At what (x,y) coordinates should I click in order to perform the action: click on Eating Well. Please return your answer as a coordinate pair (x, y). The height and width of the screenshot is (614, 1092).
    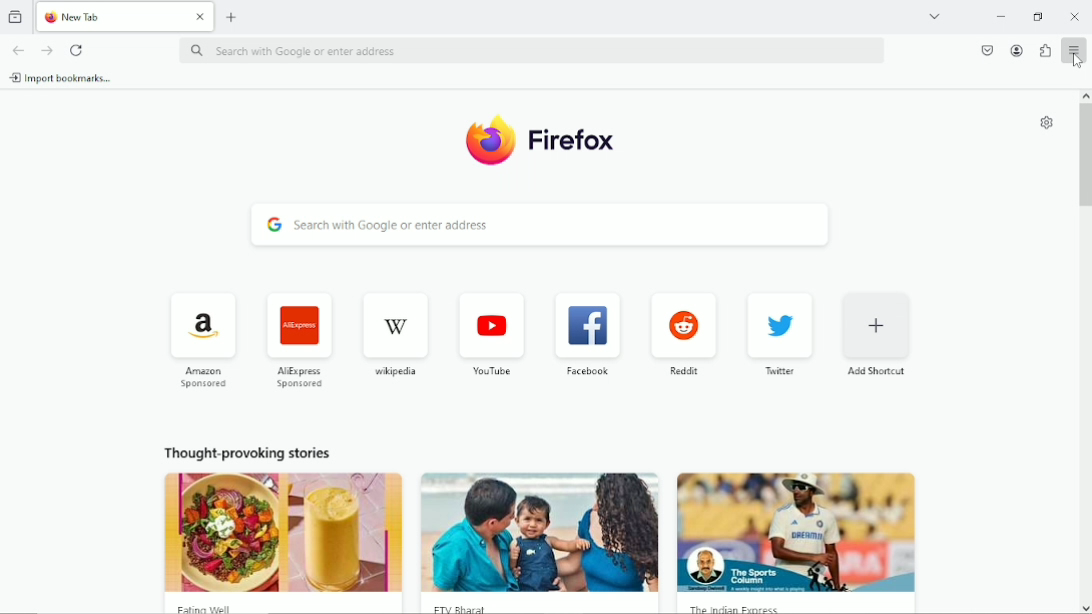
    Looking at the image, I should click on (284, 607).